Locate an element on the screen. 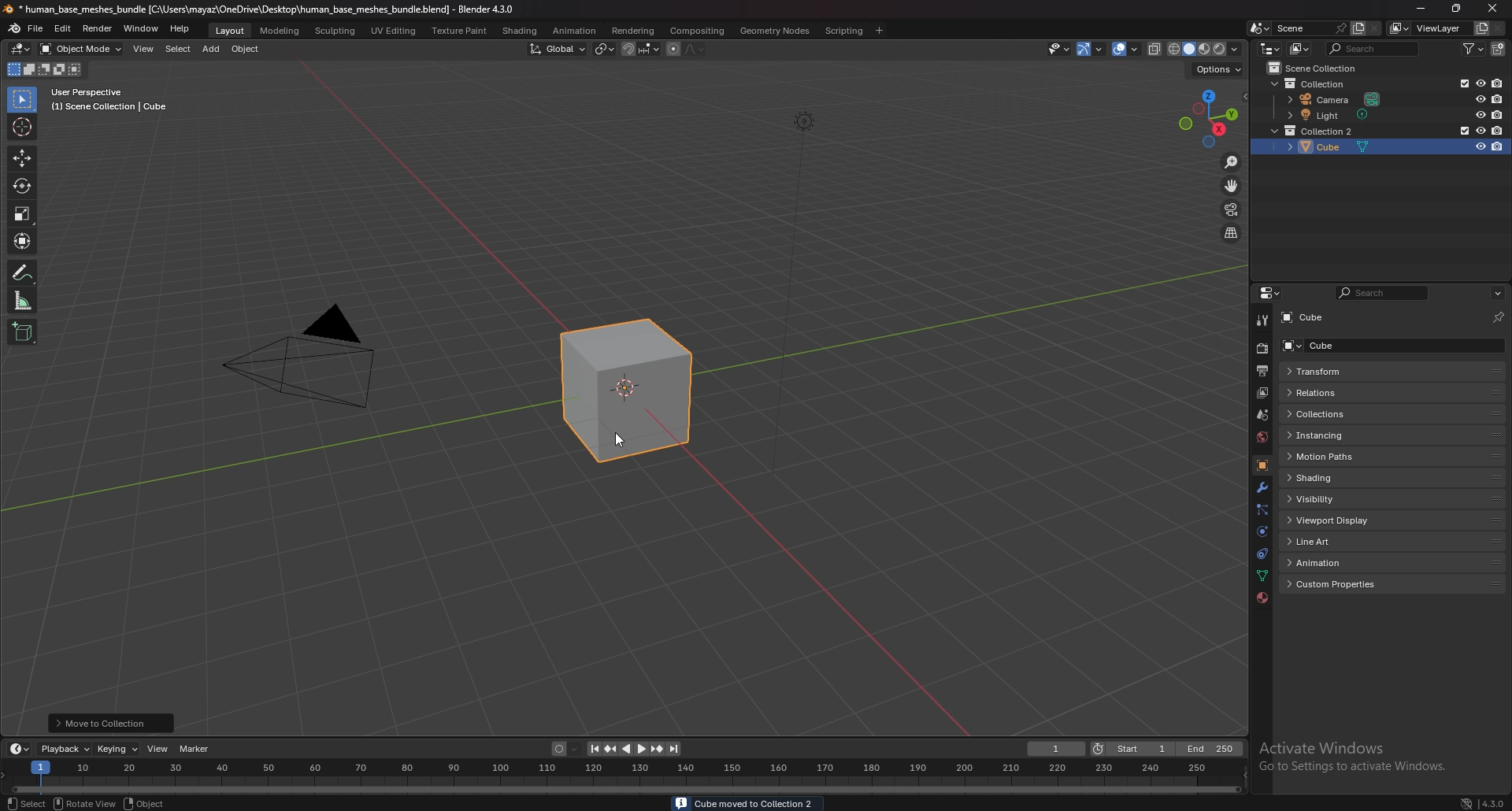 The width and height of the screenshot is (1512, 811). layout is located at coordinates (232, 31).